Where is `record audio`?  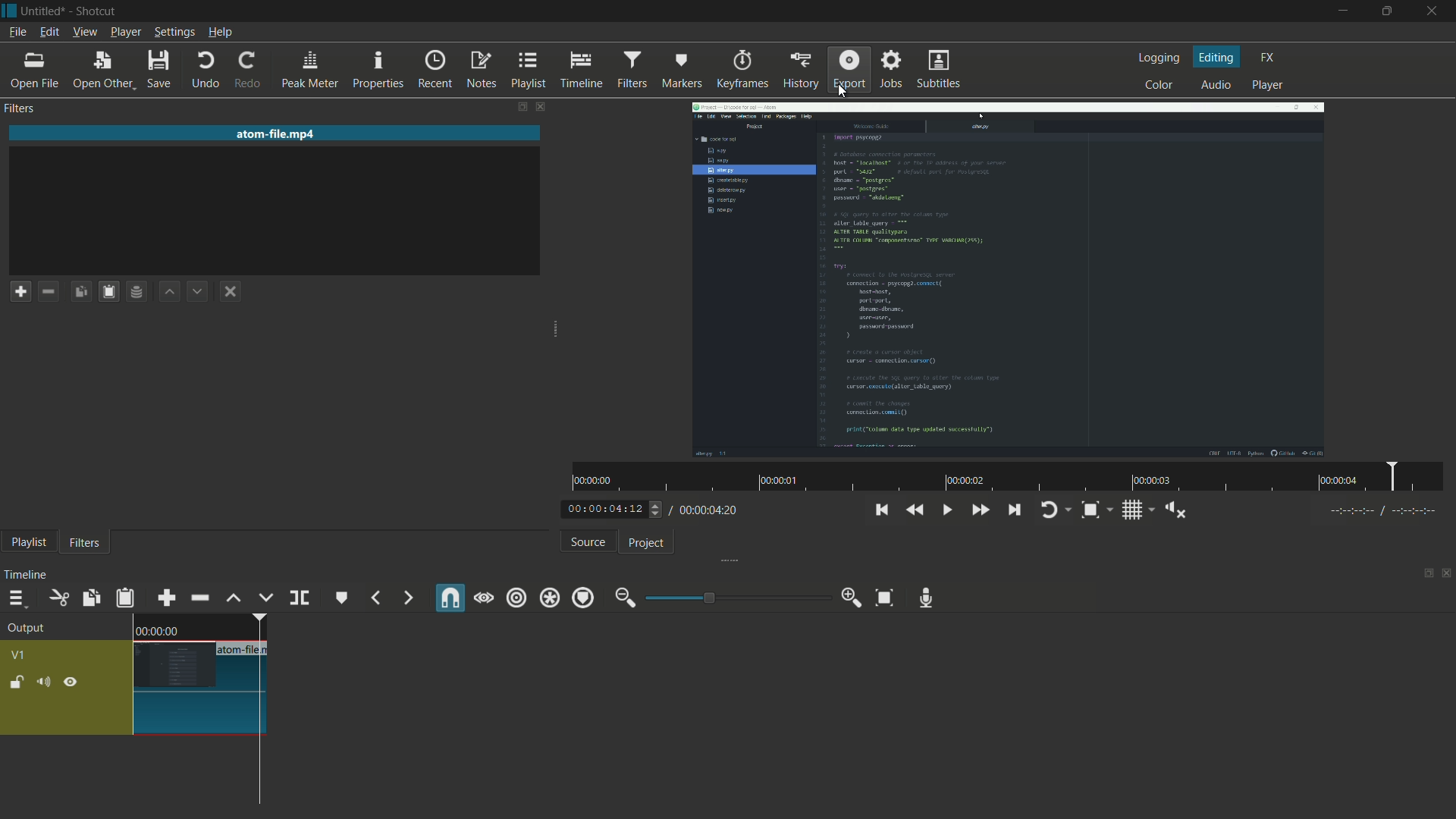
record audio is located at coordinates (927, 598).